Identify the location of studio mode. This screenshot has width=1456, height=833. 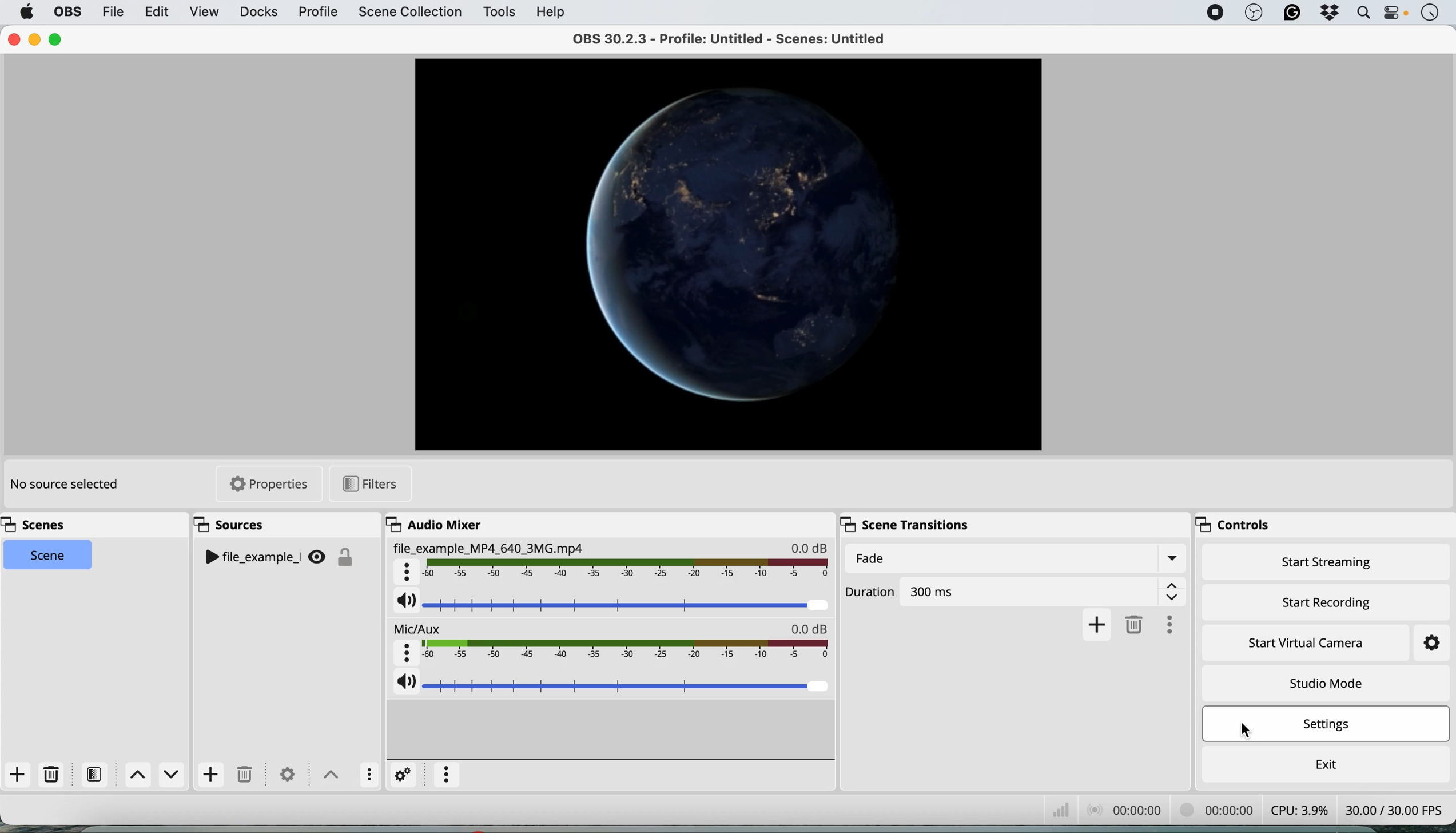
(1325, 683).